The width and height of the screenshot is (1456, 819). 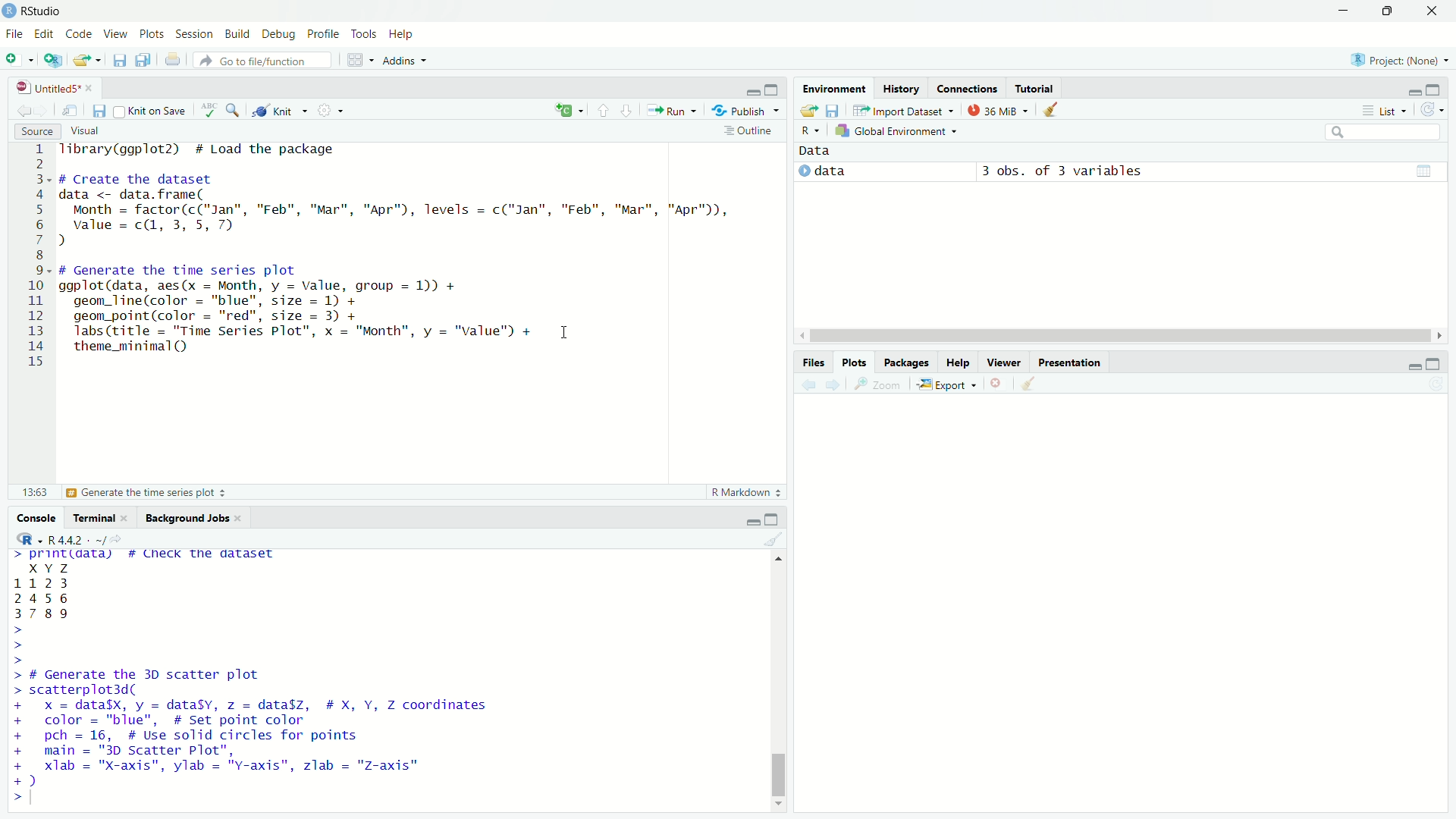 What do you see at coordinates (752, 521) in the screenshot?
I see `minimize` at bounding box center [752, 521].